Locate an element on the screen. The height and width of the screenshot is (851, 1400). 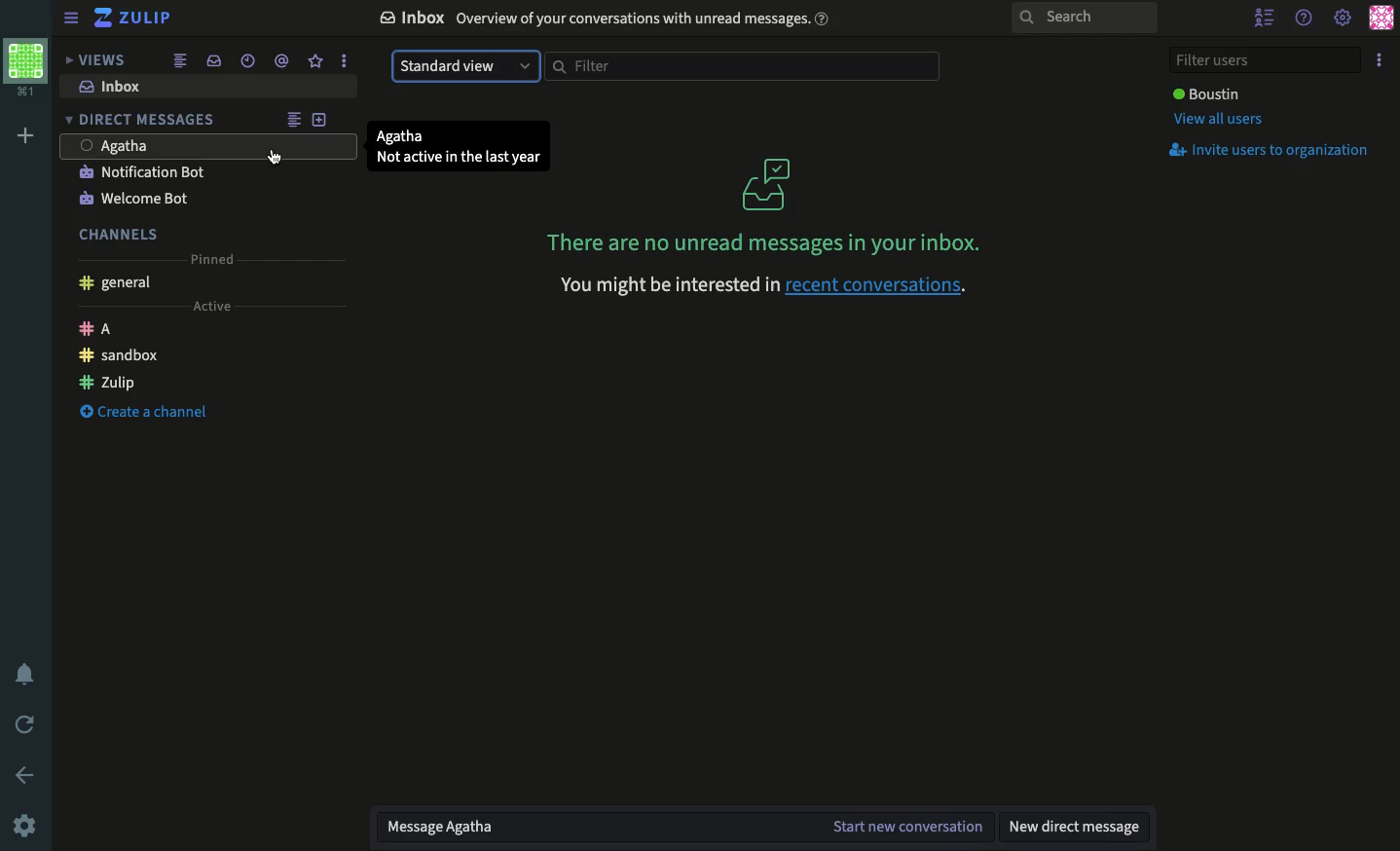
more is located at coordinates (346, 62).